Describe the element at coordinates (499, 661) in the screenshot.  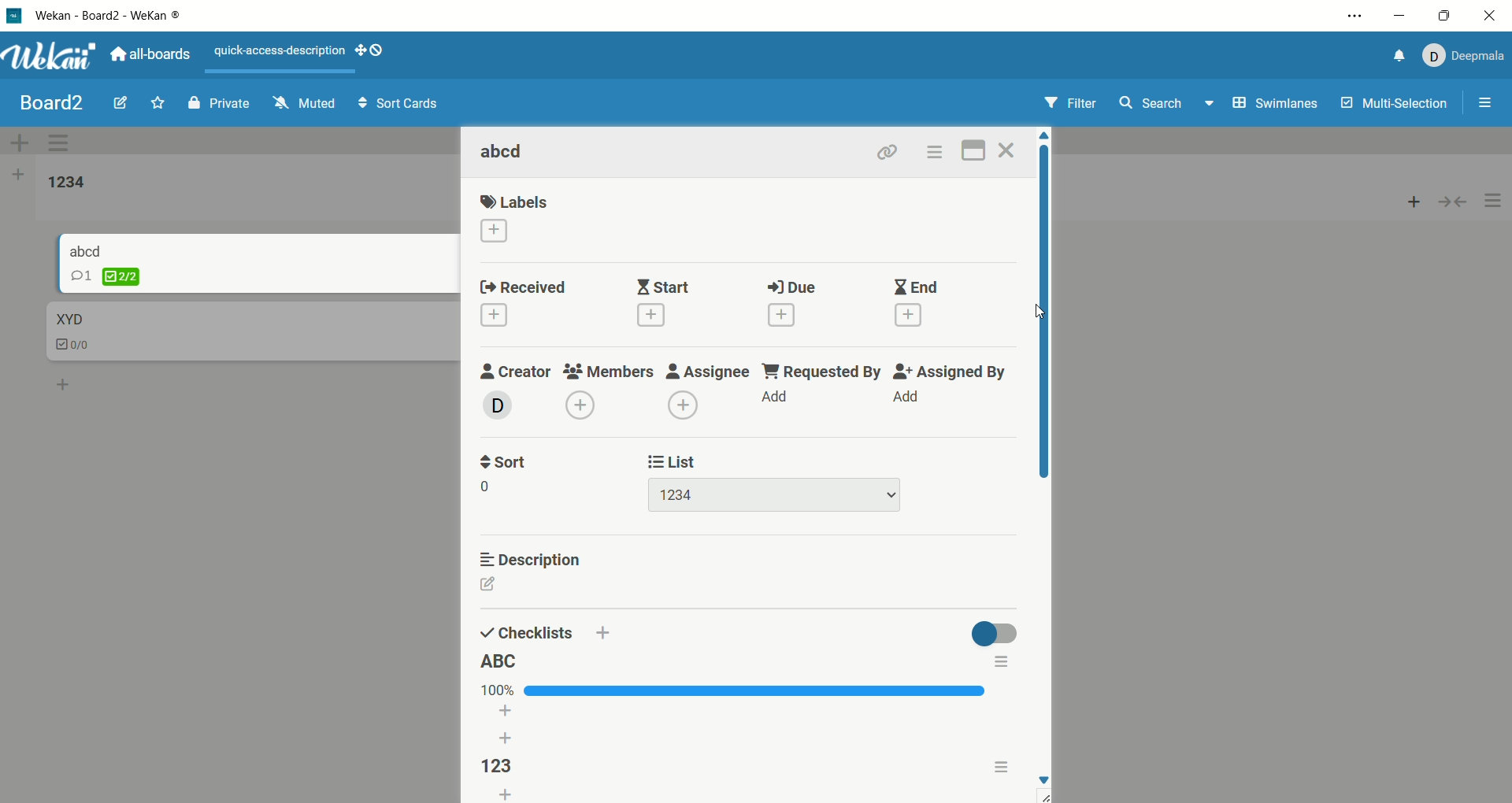
I see `checklist title` at that location.